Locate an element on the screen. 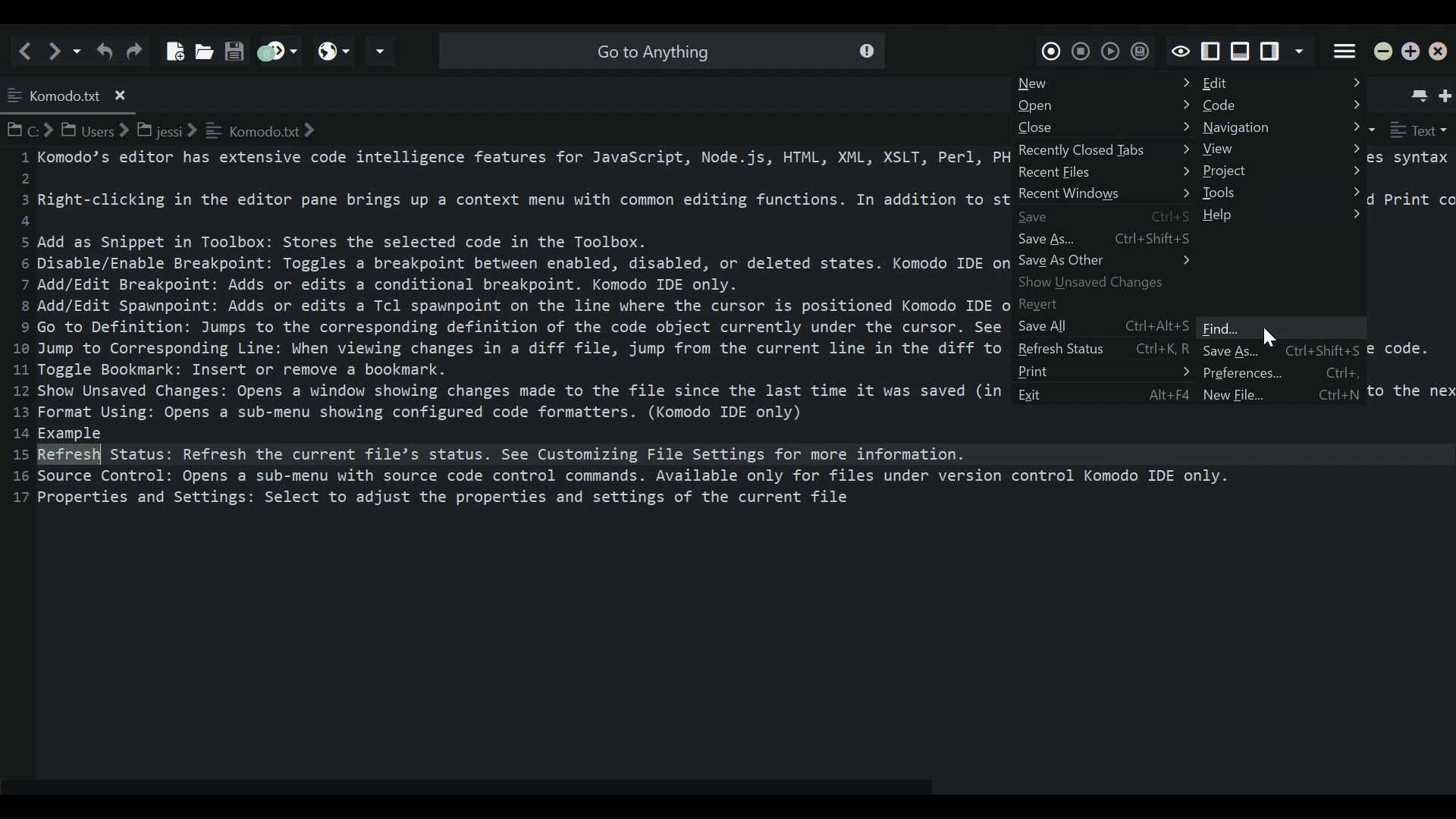  Go back one location  is located at coordinates (29, 50).